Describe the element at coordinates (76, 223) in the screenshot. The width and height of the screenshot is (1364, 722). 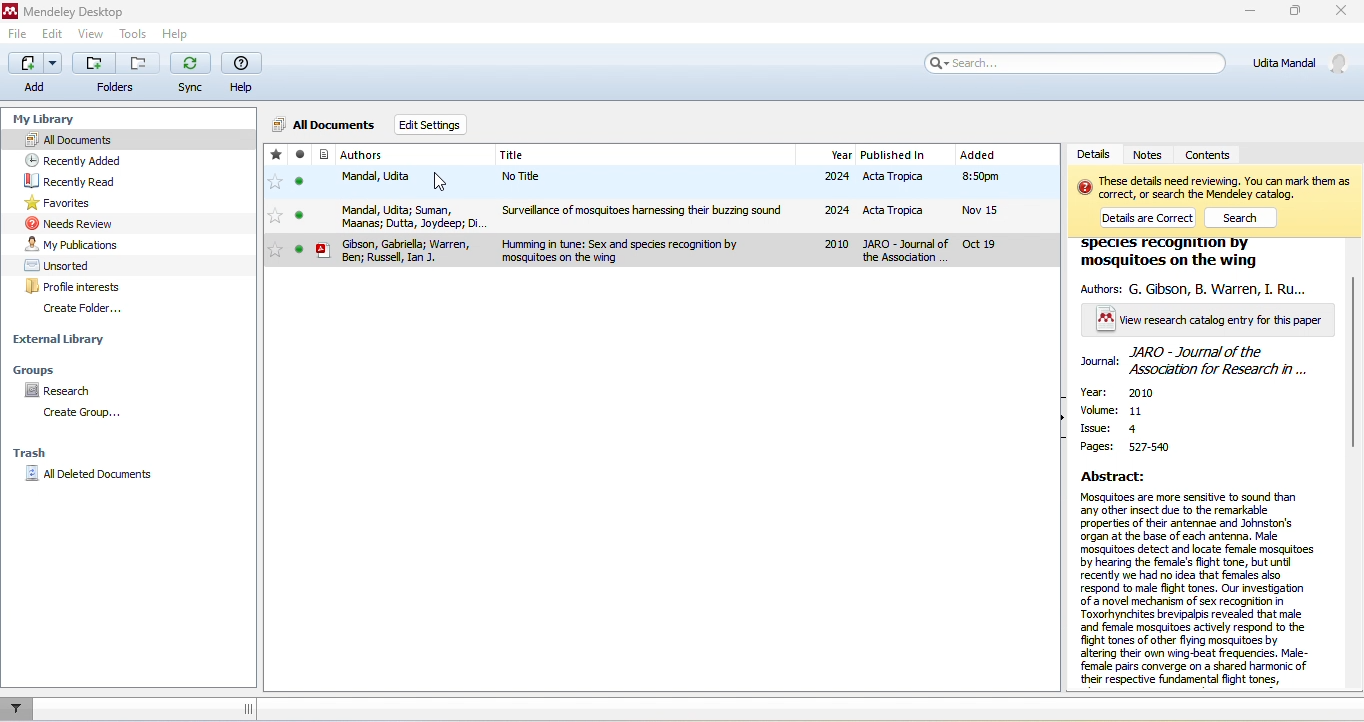
I see `needs review` at that location.